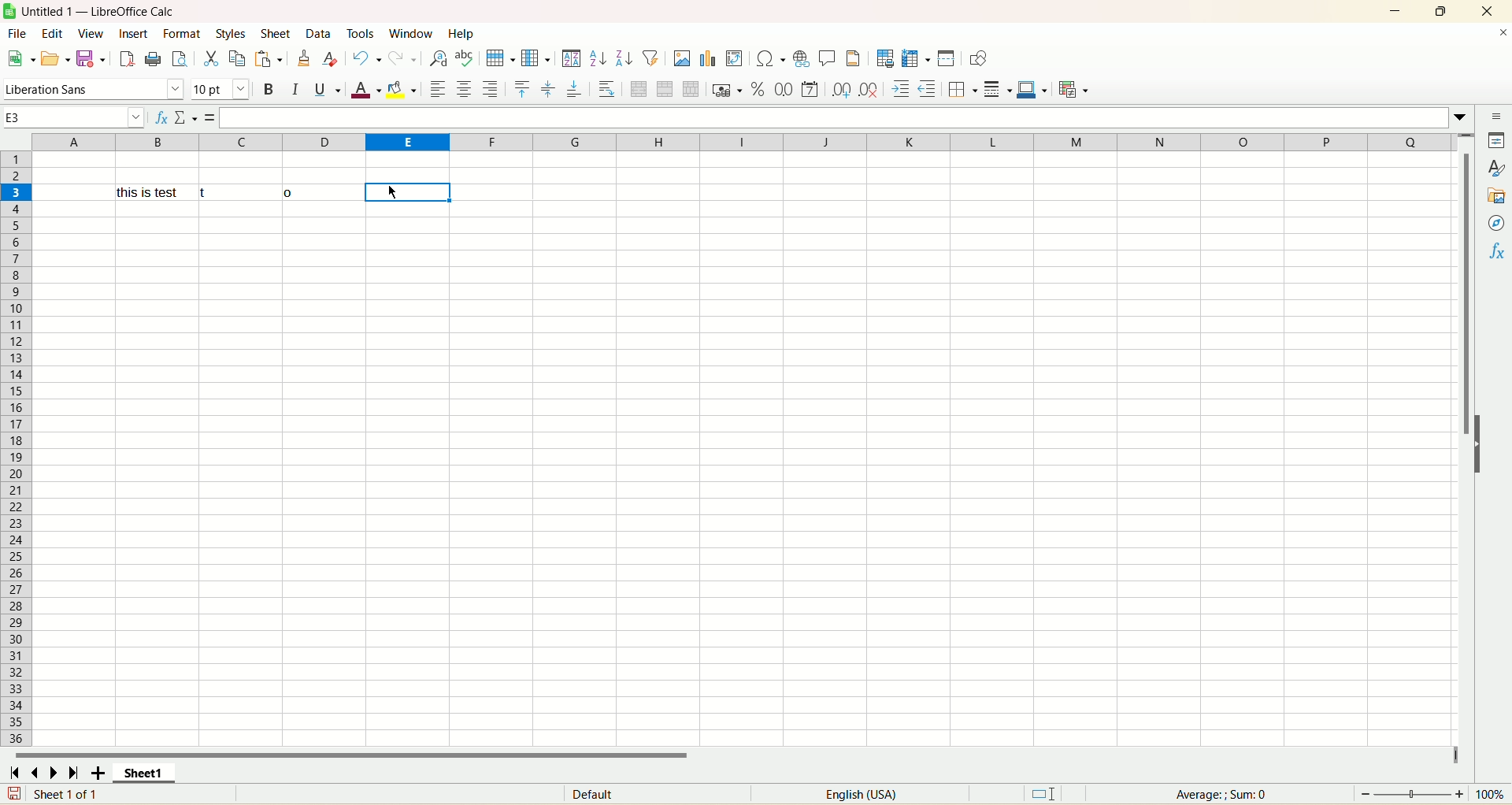 This screenshot has height=805, width=1512. I want to click on print, so click(152, 58).